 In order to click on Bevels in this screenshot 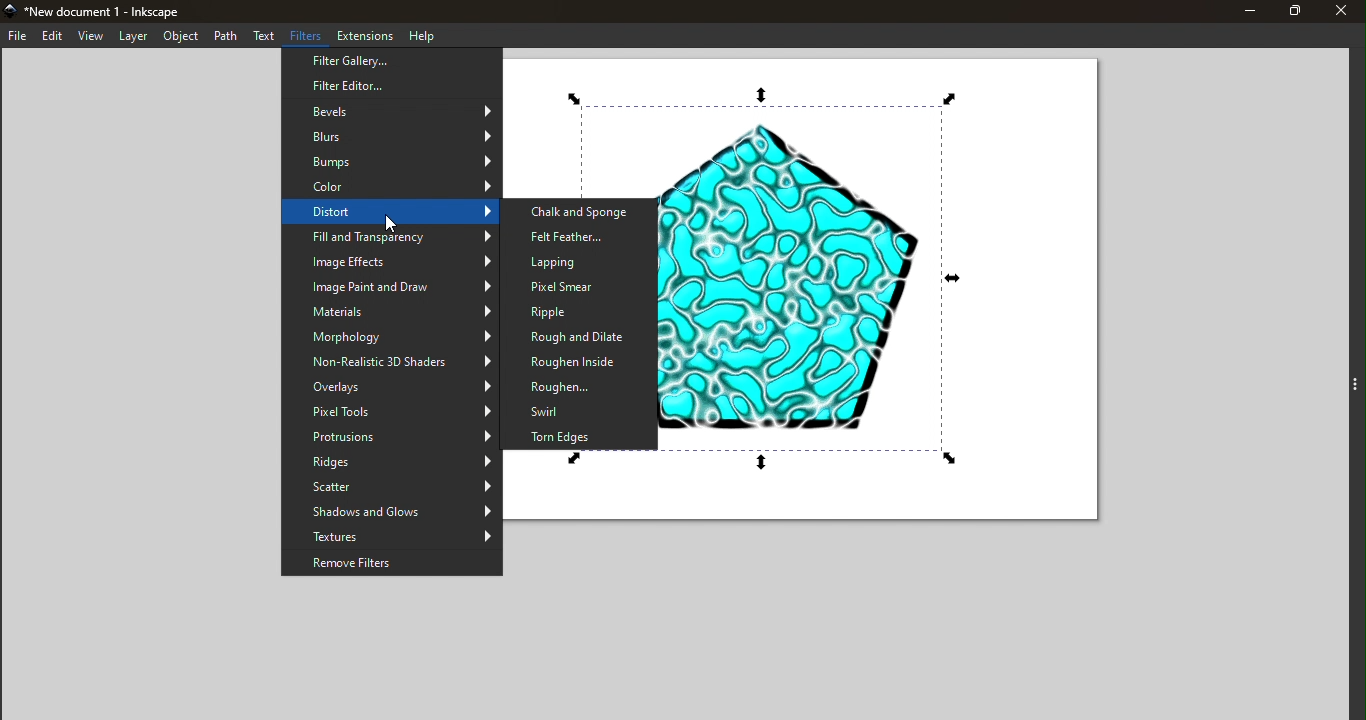, I will do `click(393, 110)`.